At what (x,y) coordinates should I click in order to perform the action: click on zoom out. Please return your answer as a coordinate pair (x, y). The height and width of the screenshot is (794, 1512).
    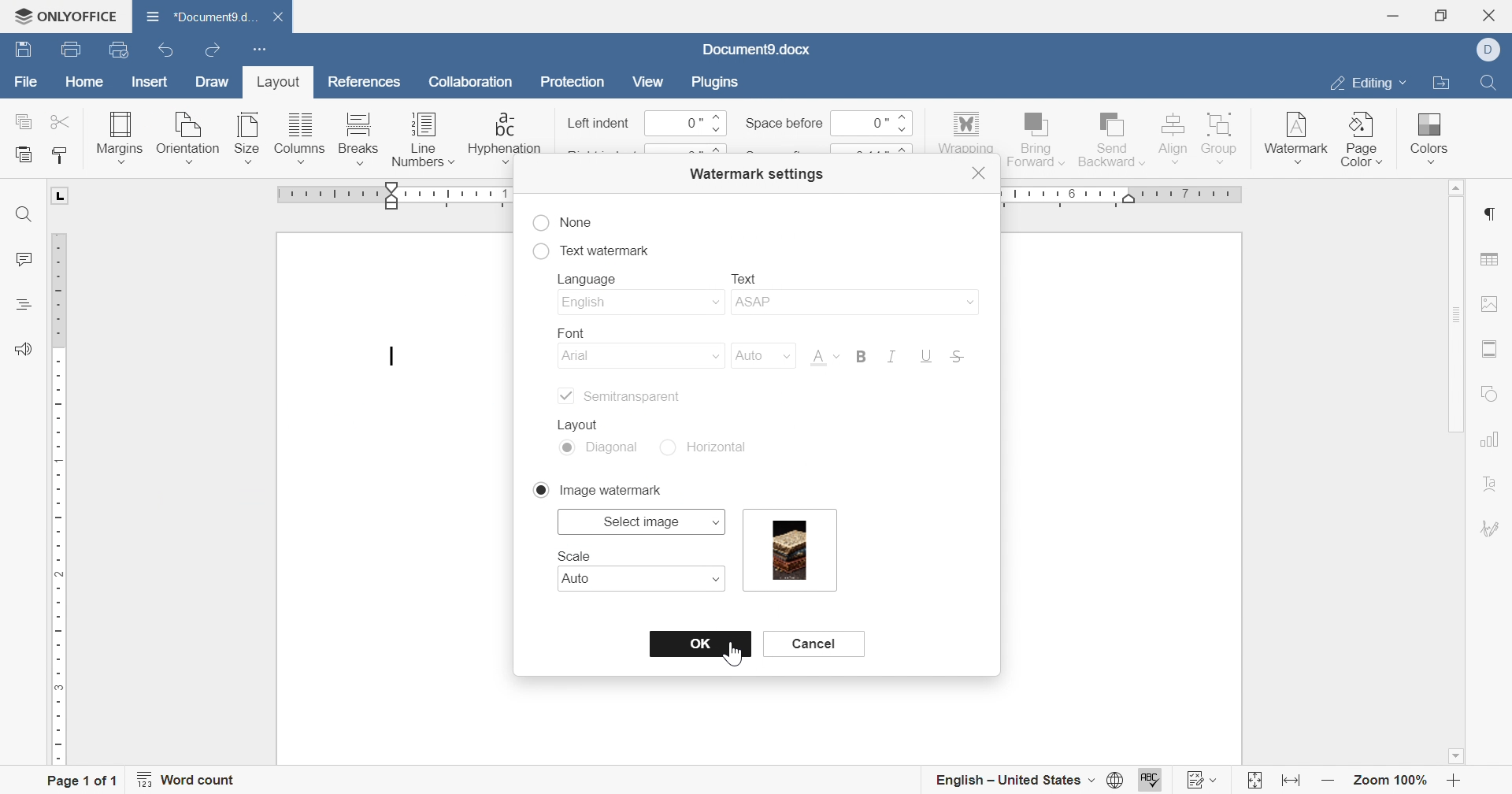
    Looking at the image, I should click on (1329, 781).